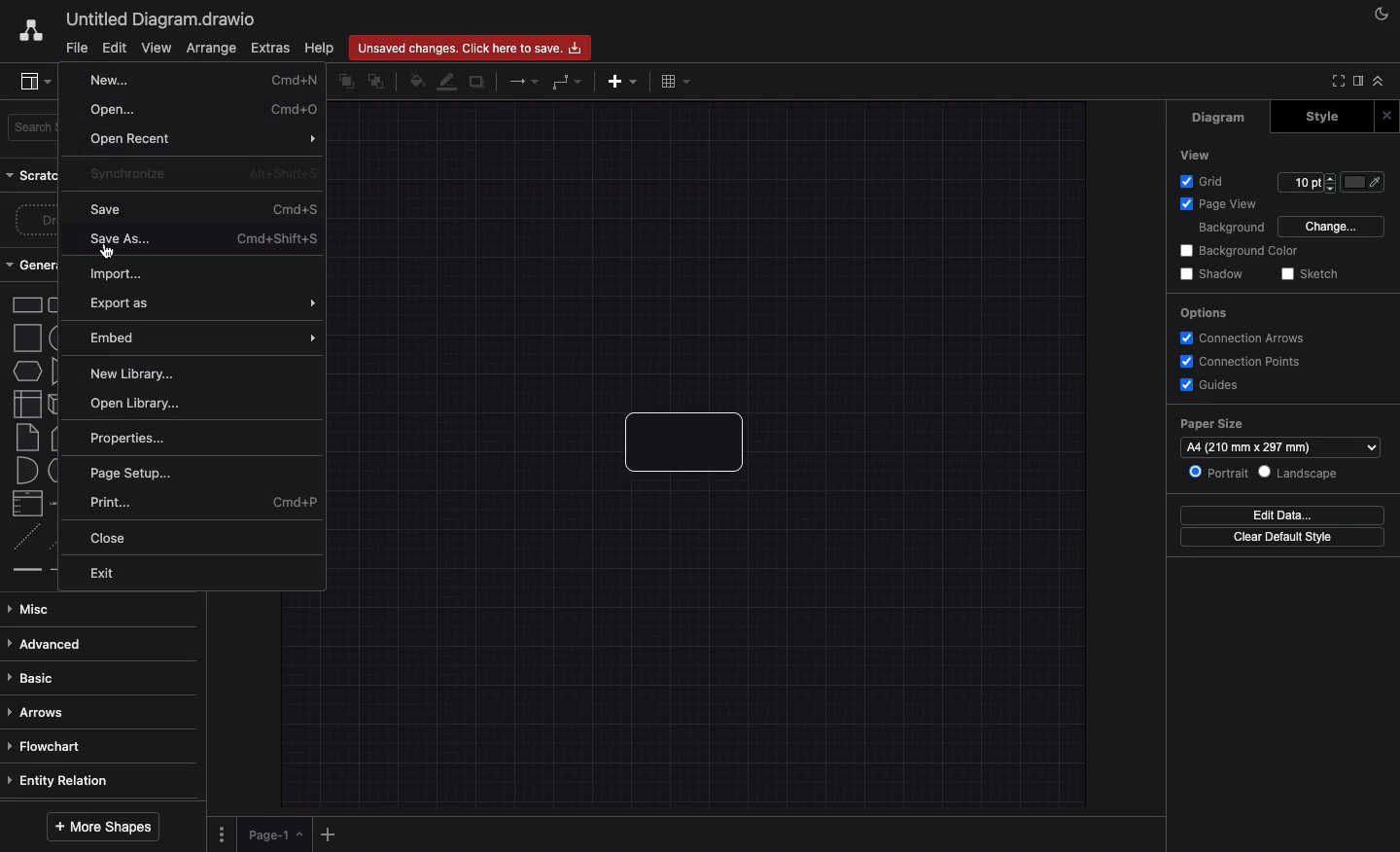  Describe the element at coordinates (1219, 474) in the screenshot. I see `Portrait ` at that location.